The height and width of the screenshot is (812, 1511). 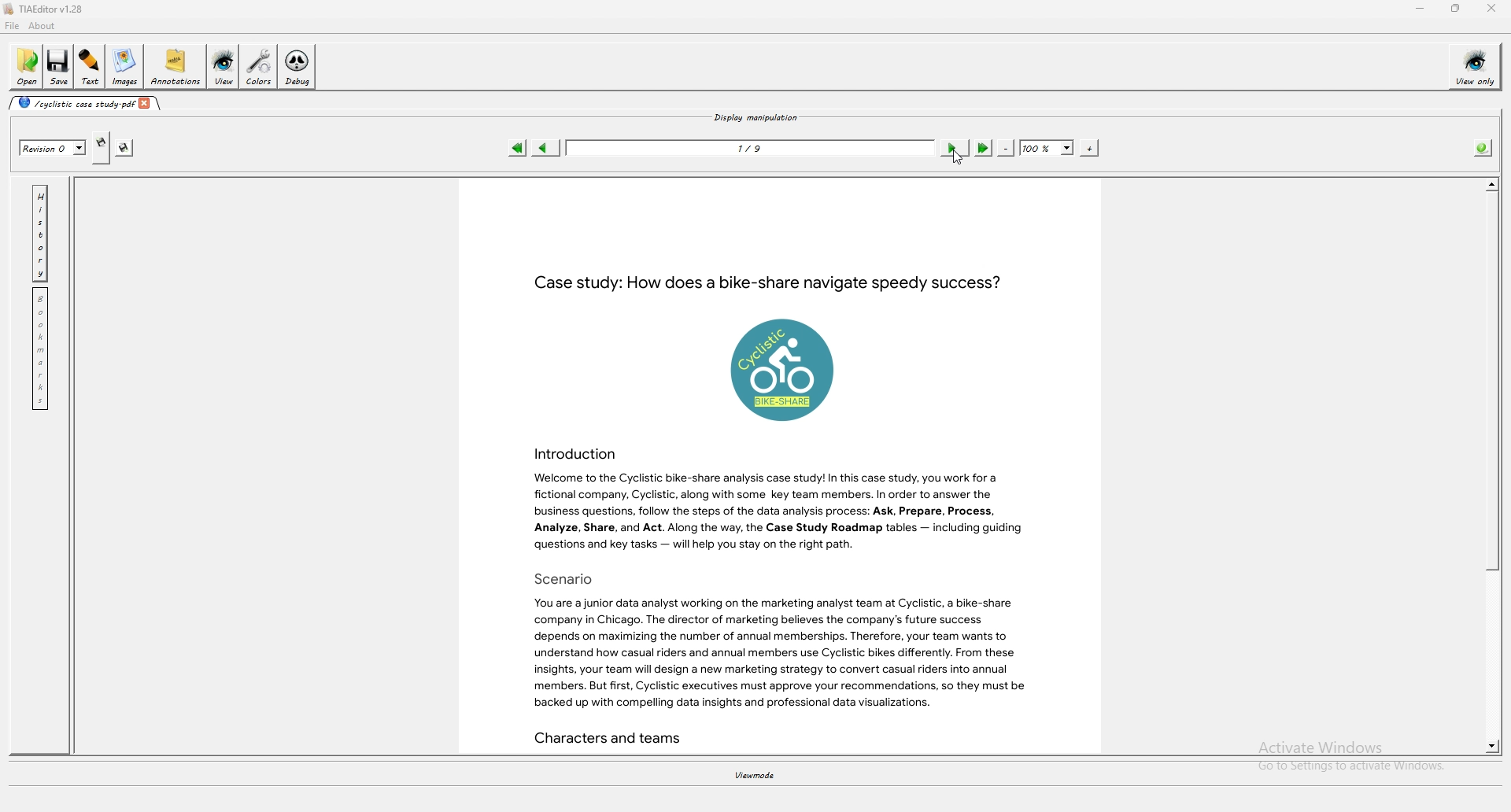 What do you see at coordinates (148, 102) in the screenshot?
I see `close` at bounding box center [148, 102].